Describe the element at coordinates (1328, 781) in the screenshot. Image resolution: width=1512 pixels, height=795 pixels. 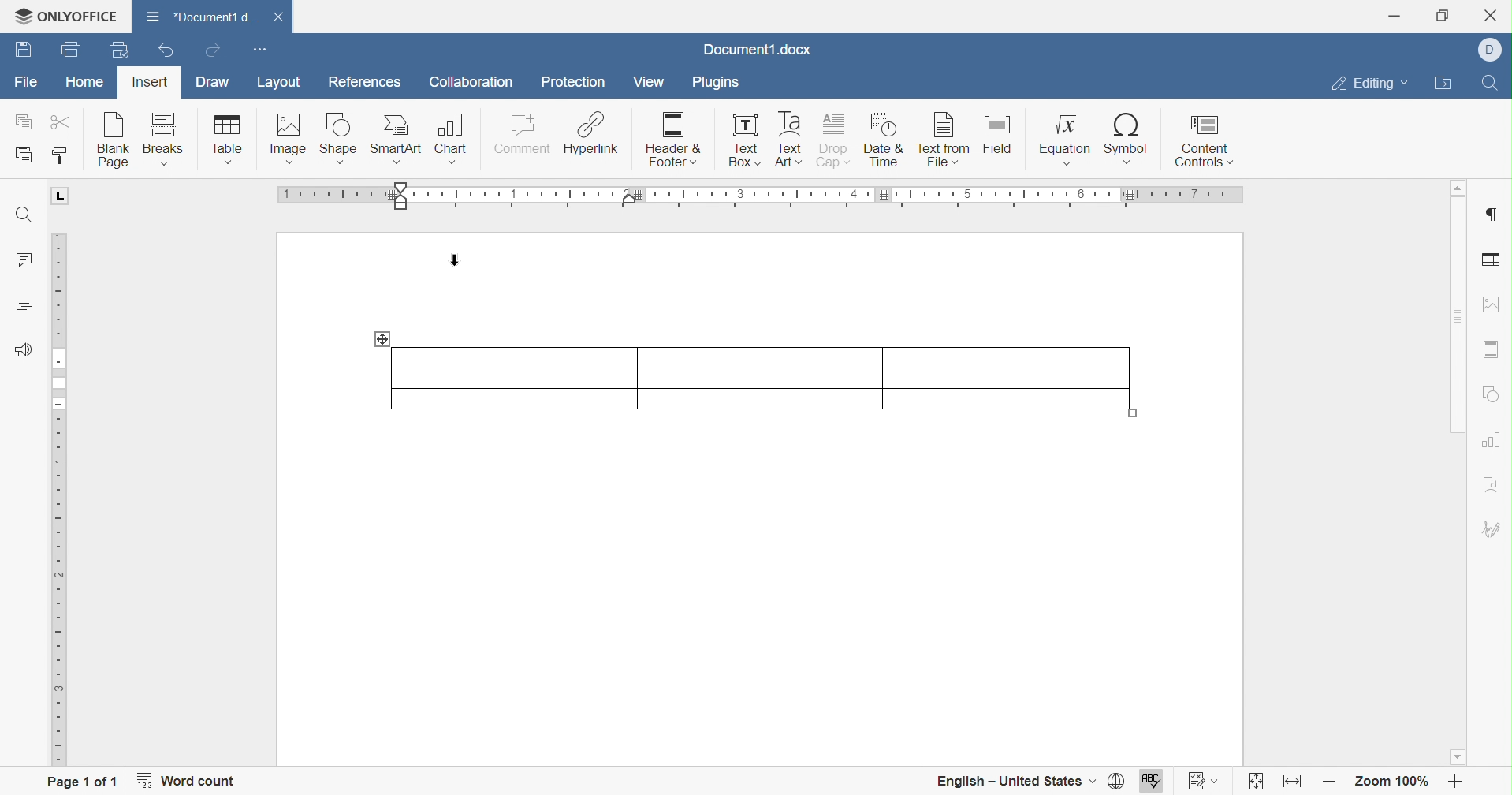
I see `Zoom out` at that location.